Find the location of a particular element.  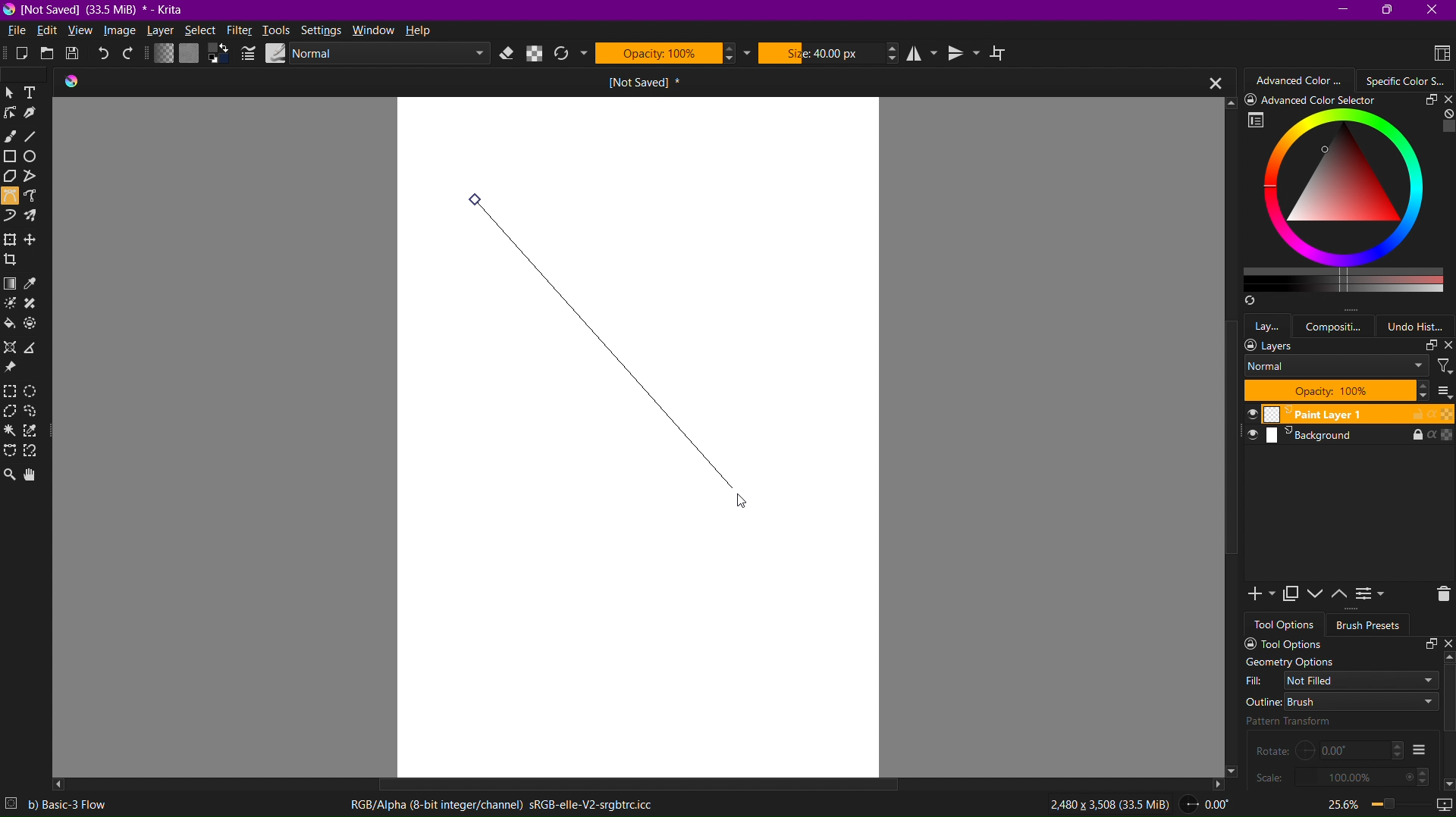

Bezier Curve Tool is located at coordinates (10, 199).